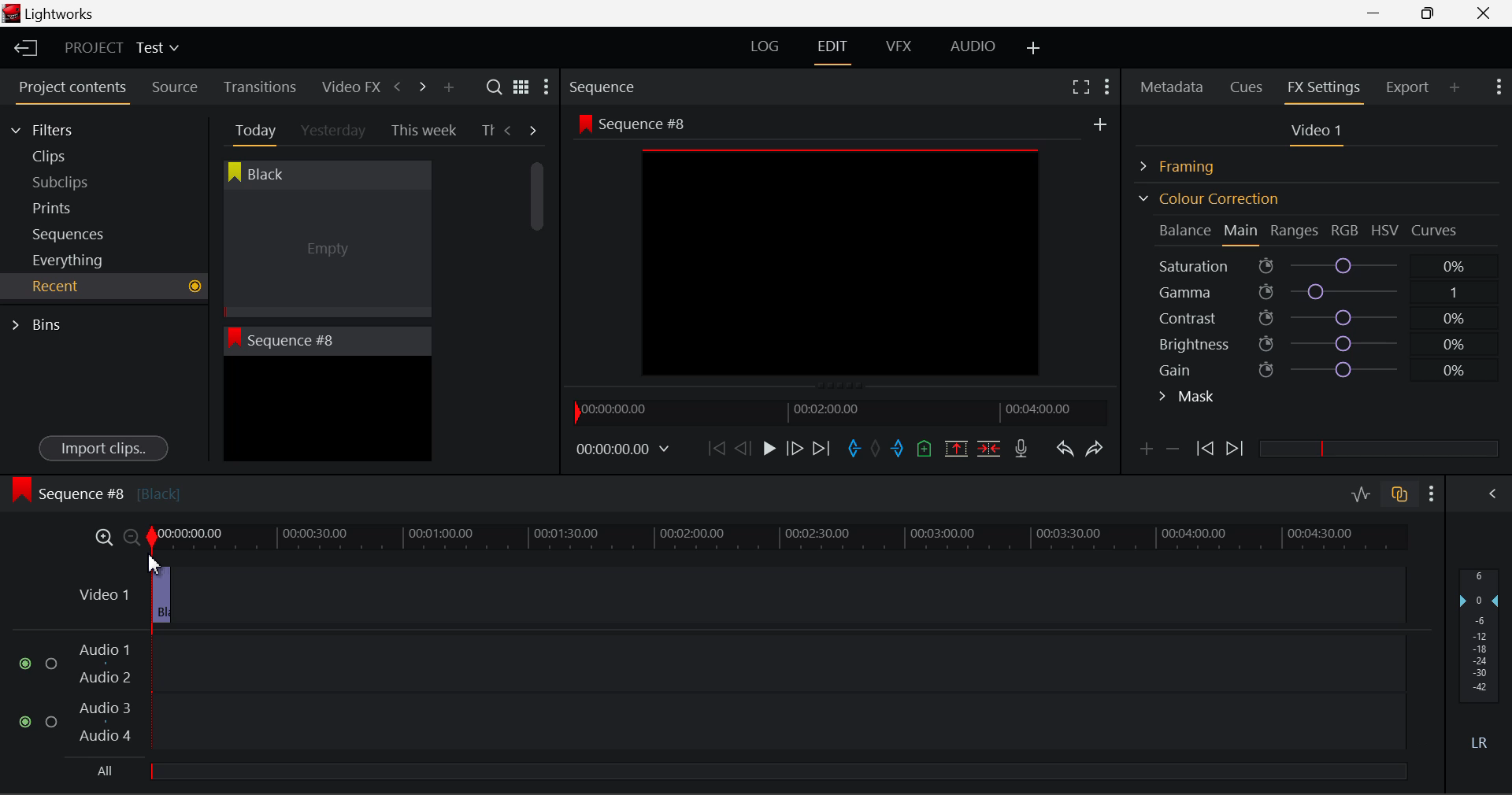 The width and height of the screenshot is (1512, 795). I want to click on Timeline Zoom In, so click(101, 537).